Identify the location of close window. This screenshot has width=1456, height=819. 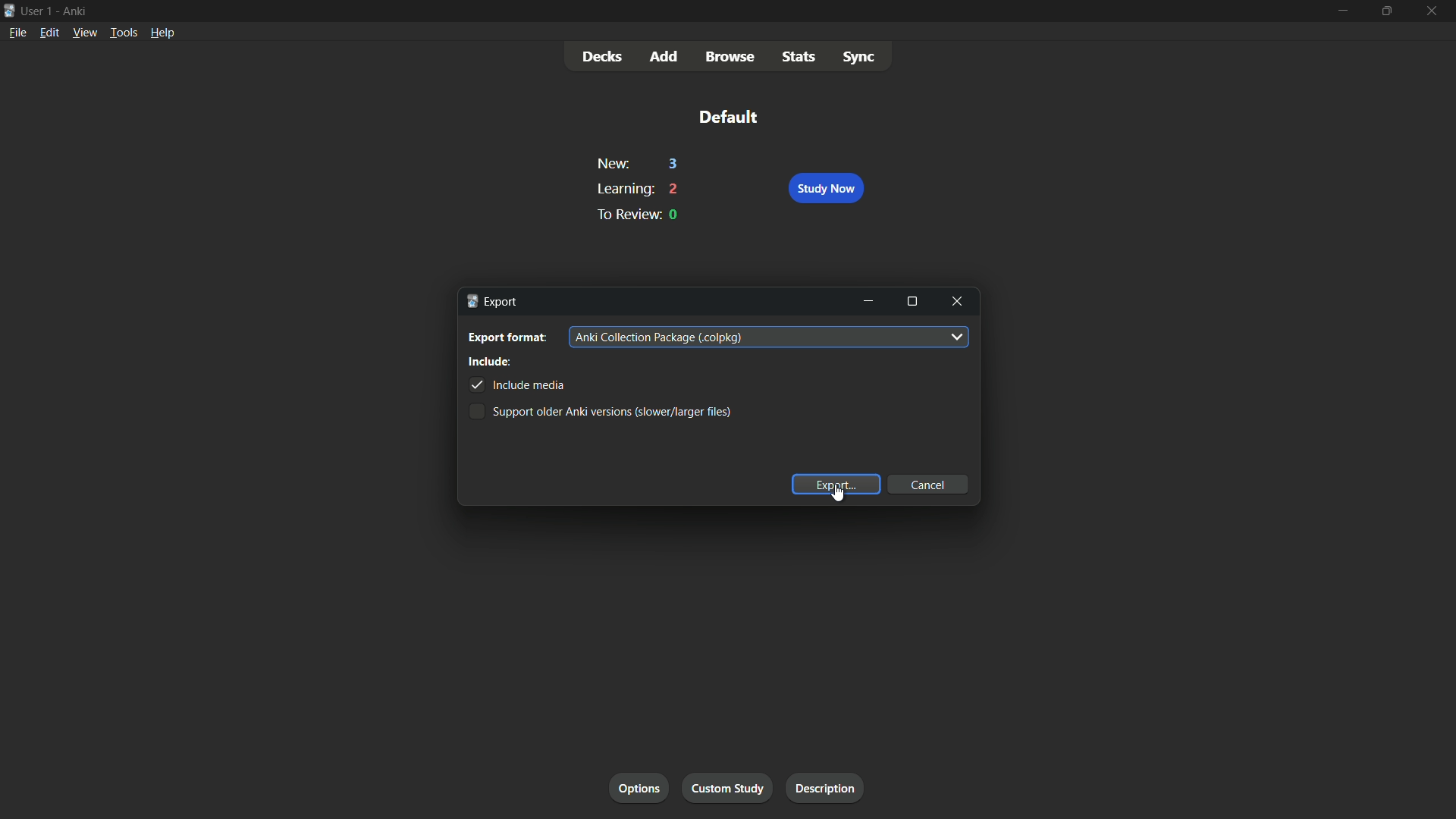
(956, 302).